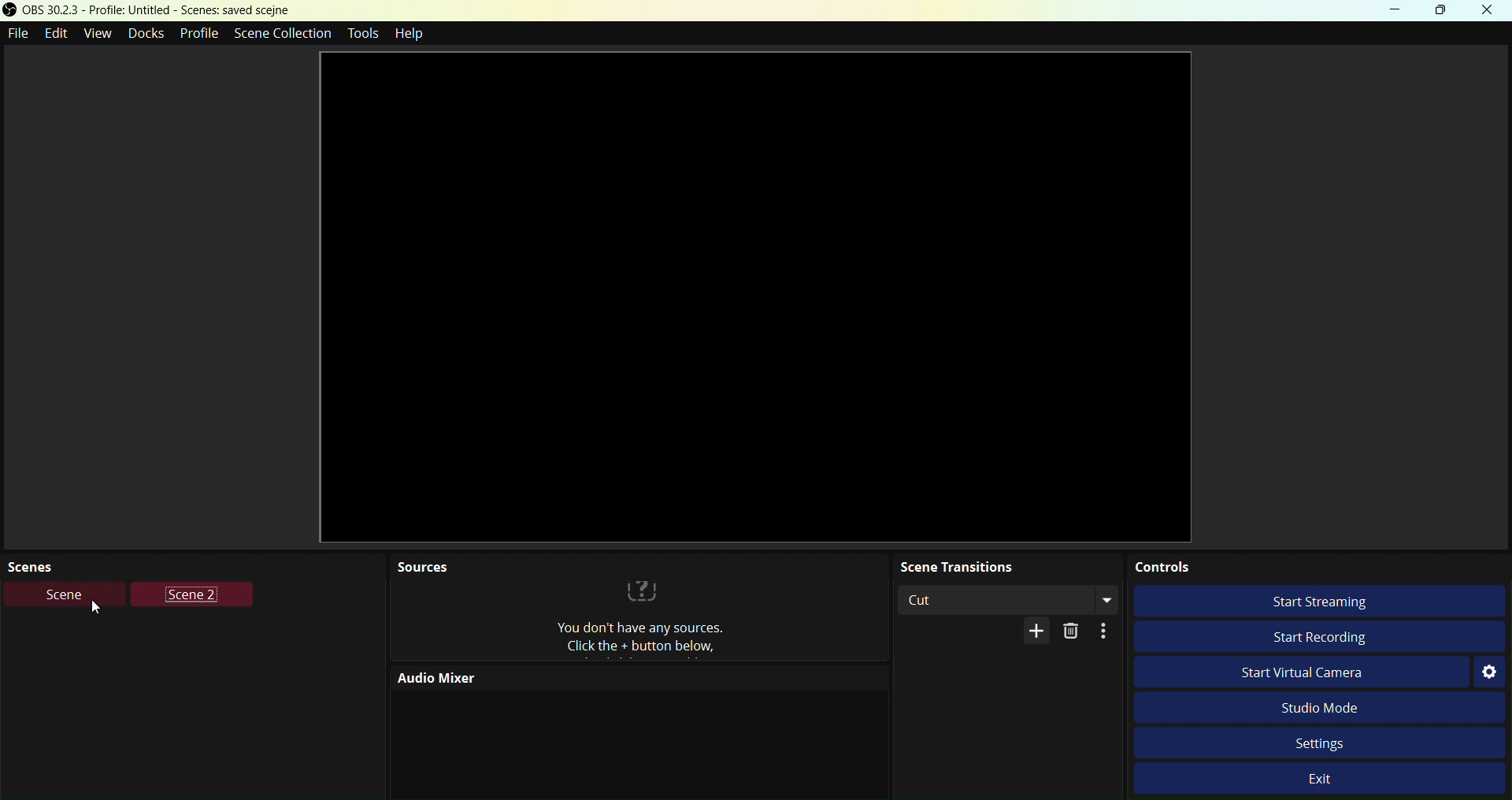 The width and height of the screenshot is (1512, 800). What do you see at coordinates (148, 10) in the screenshot?
I see `OBS Studio` at bounding box center [148, 10].